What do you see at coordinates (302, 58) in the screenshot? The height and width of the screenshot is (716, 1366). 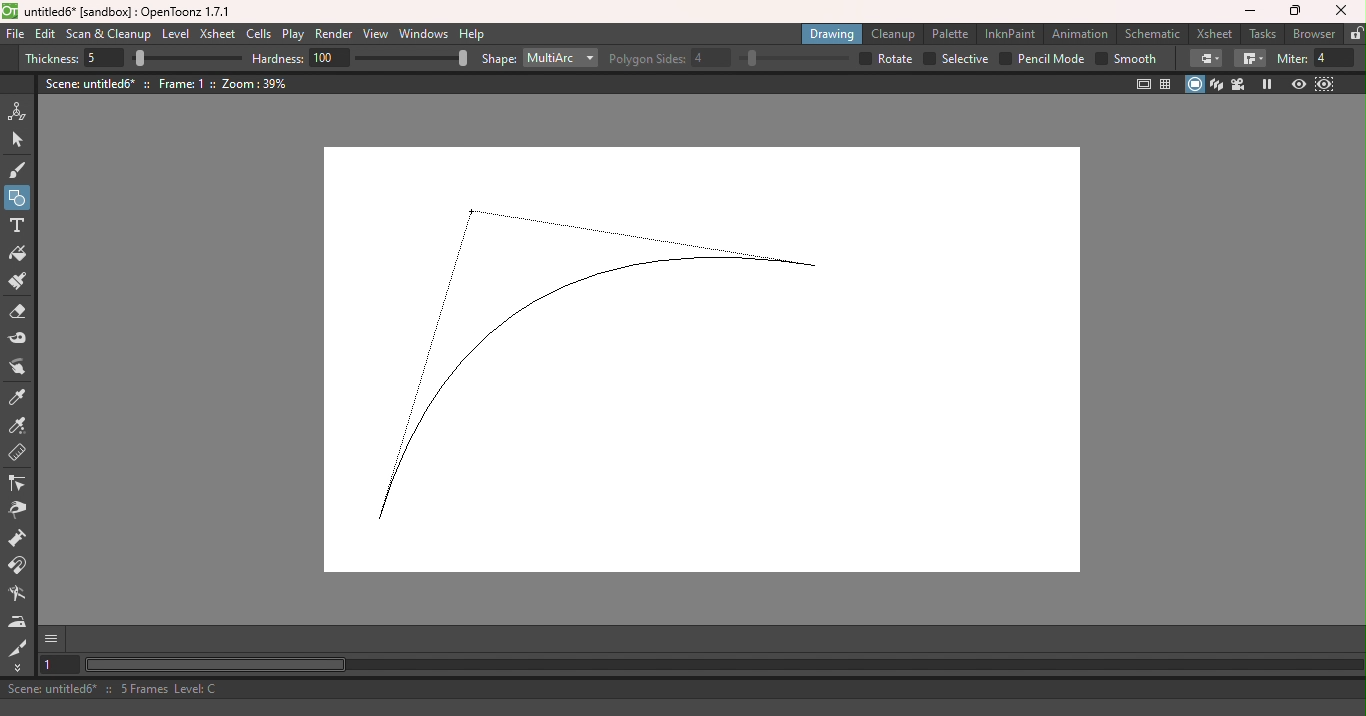 I see `Hardness` at bounding box center [302, 58].